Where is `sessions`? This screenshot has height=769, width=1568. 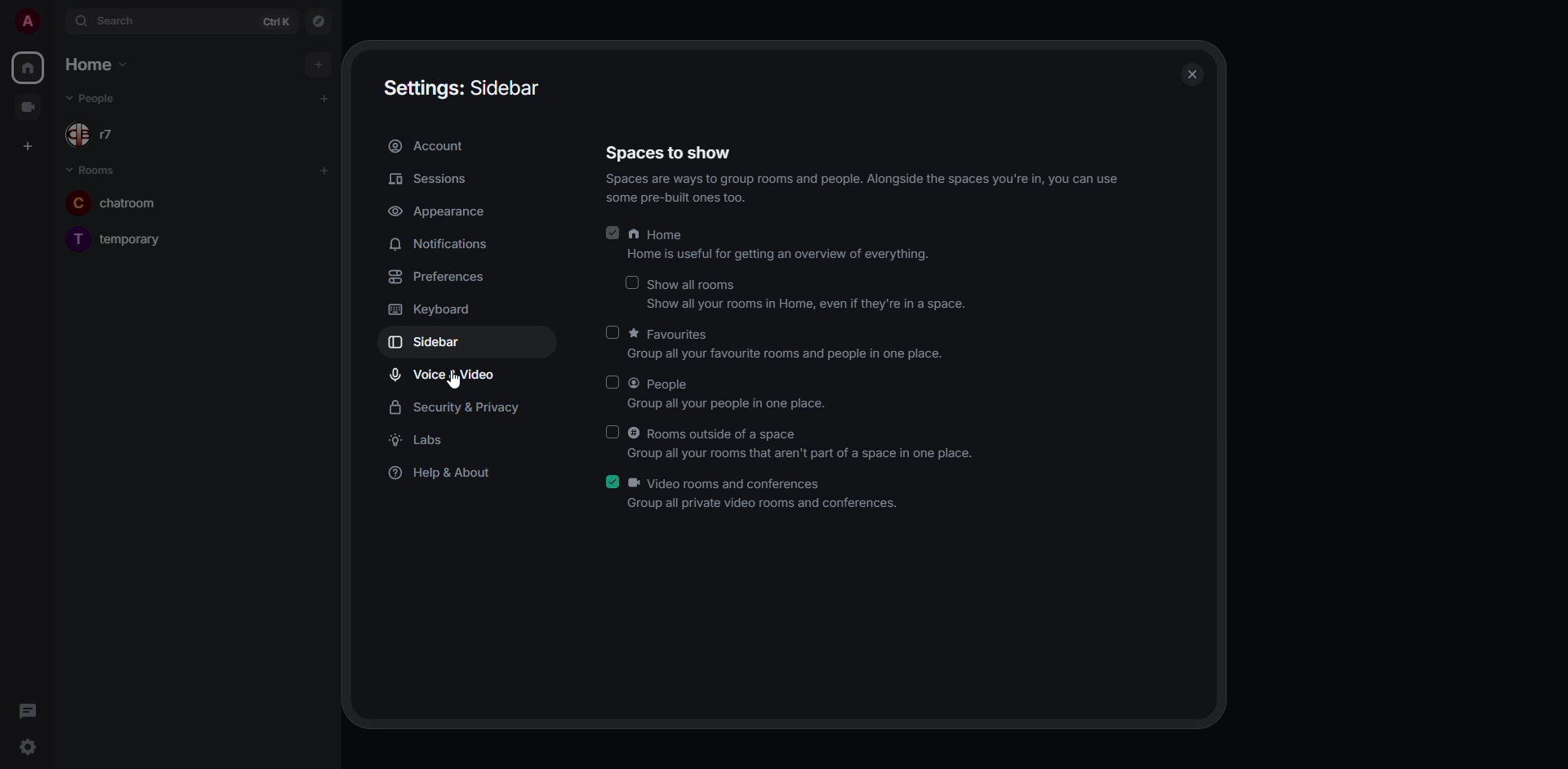
sessions is located at coordinates (433, 180).